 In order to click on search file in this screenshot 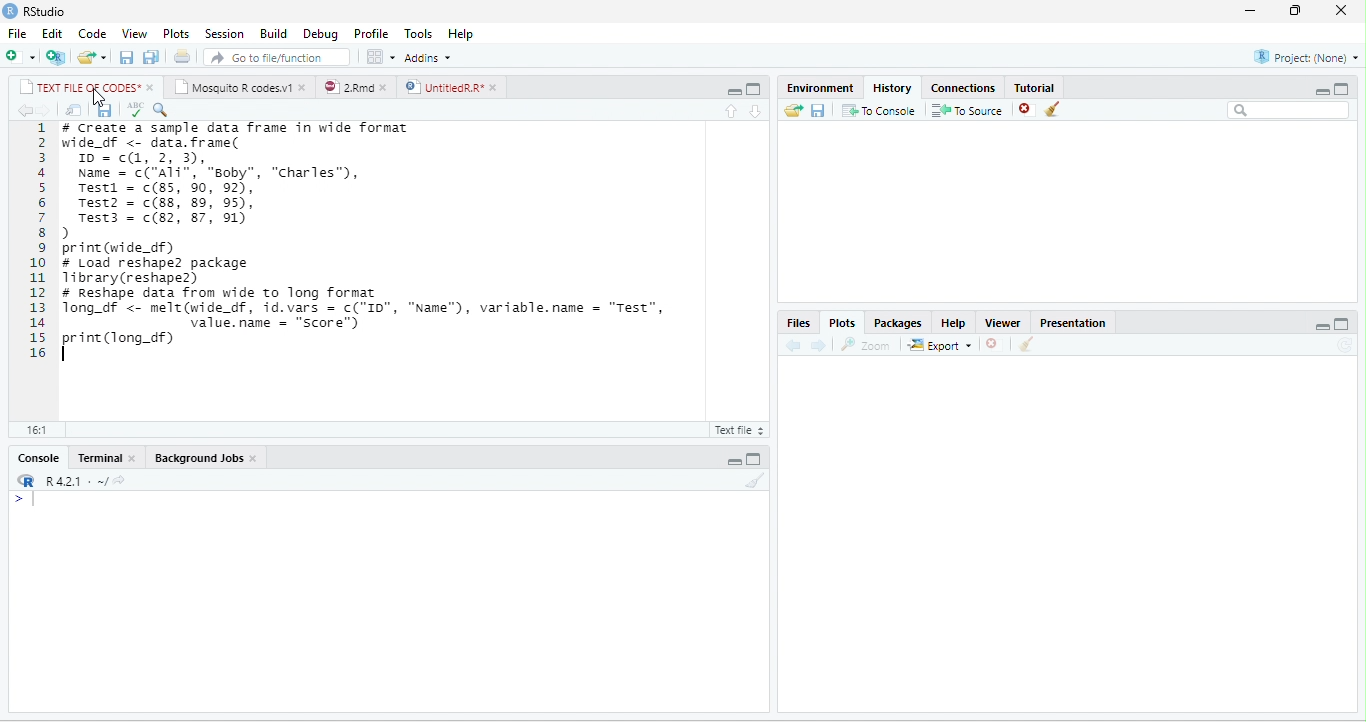, I will do `click(276, 57)`.